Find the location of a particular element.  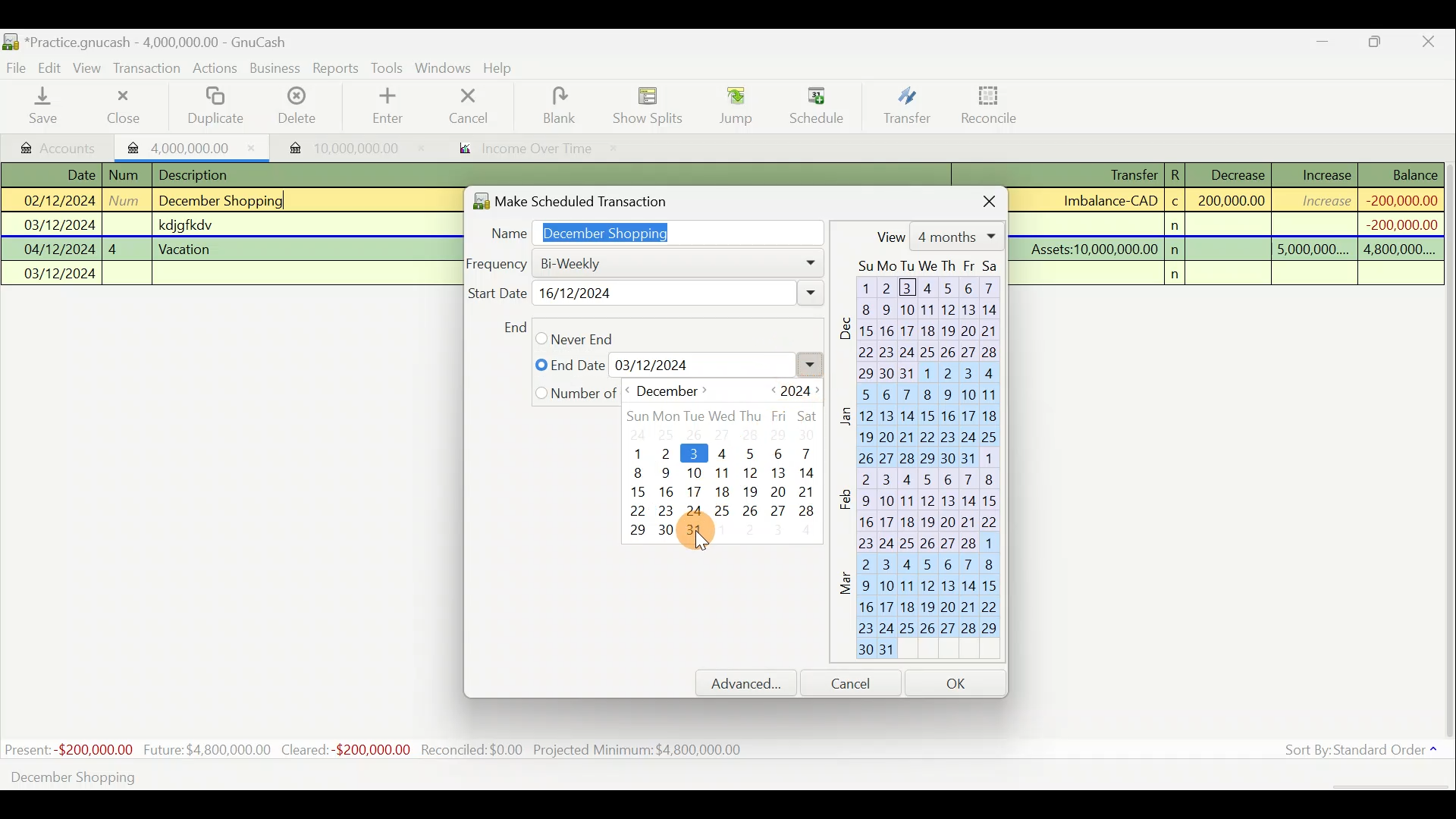

Create a scheduled transaction is located at coordinates (461, 776).